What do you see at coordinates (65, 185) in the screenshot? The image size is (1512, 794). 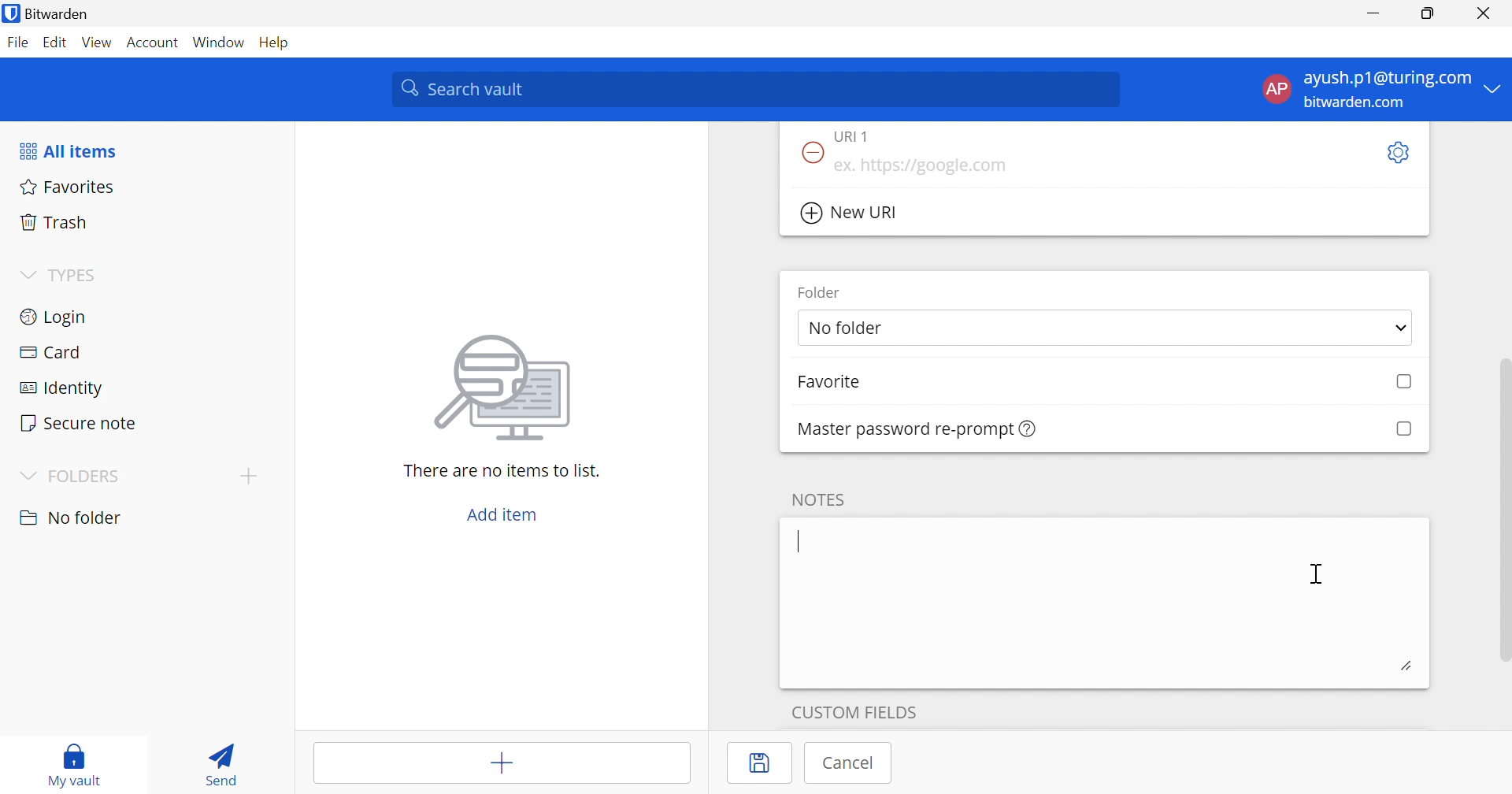 I see `Favorites` at bounding box center [65, 185].